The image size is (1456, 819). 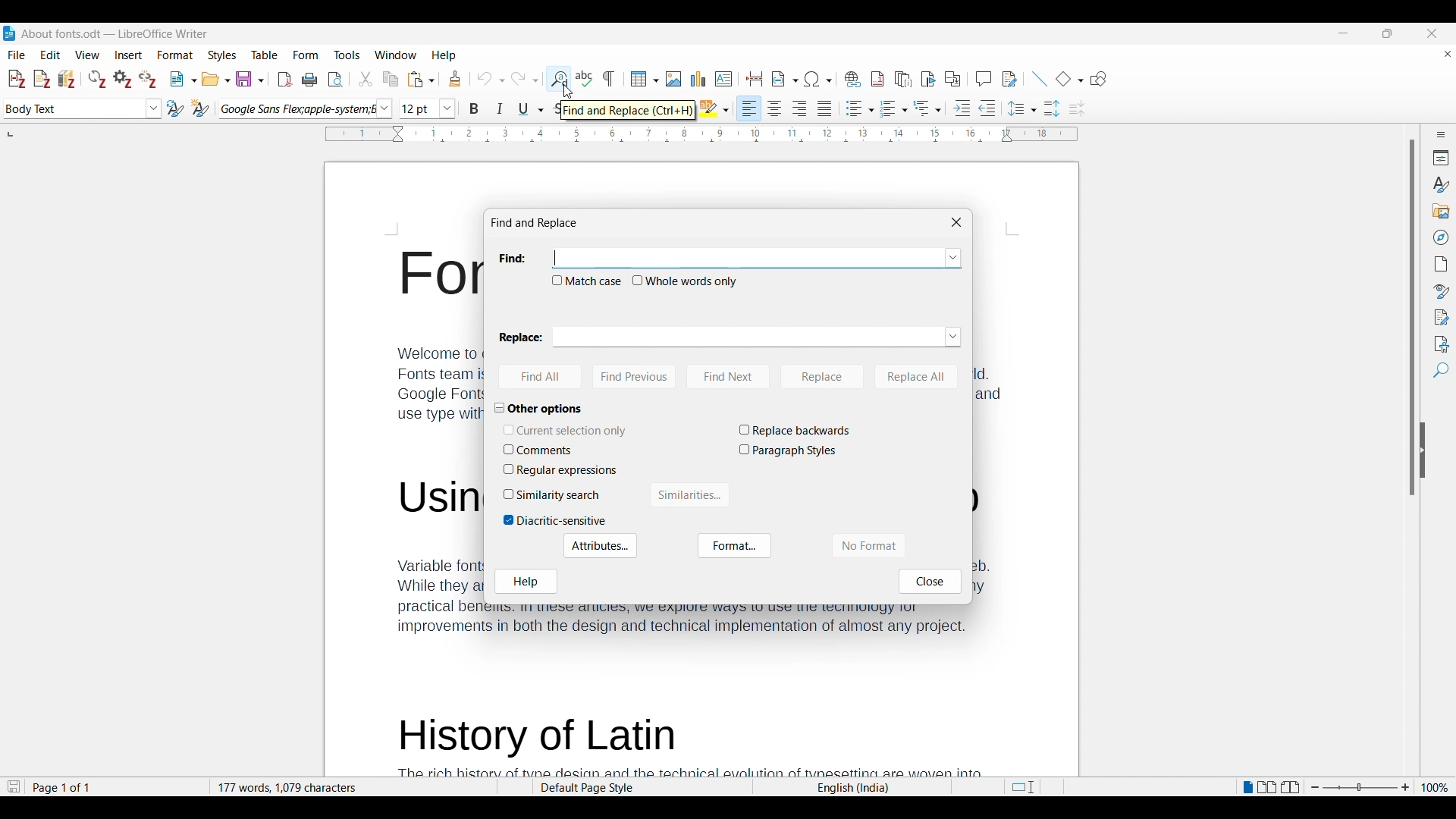 I want to click on Software logo, so click(x=9, y=33).